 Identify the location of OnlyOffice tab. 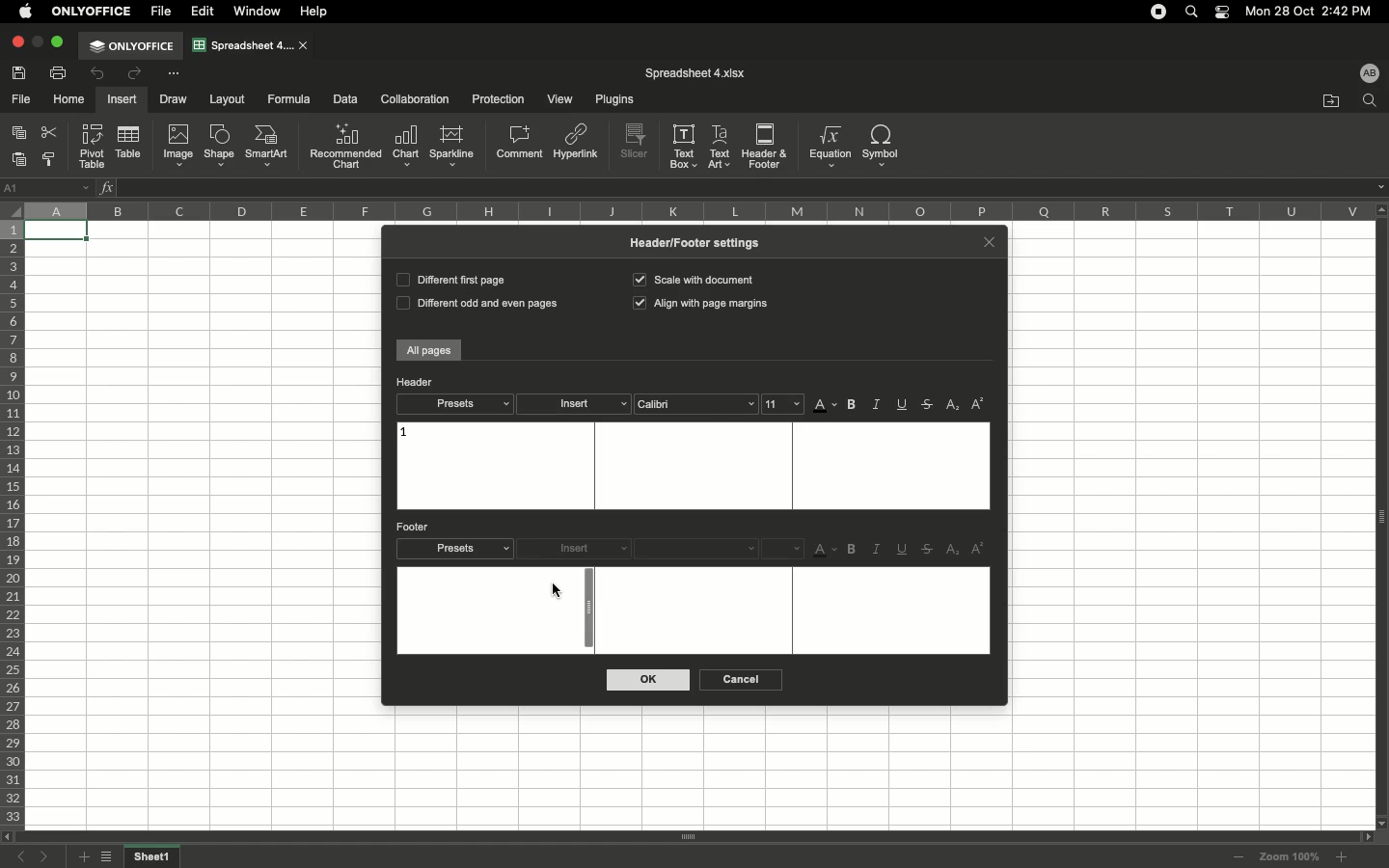
(131, 46).